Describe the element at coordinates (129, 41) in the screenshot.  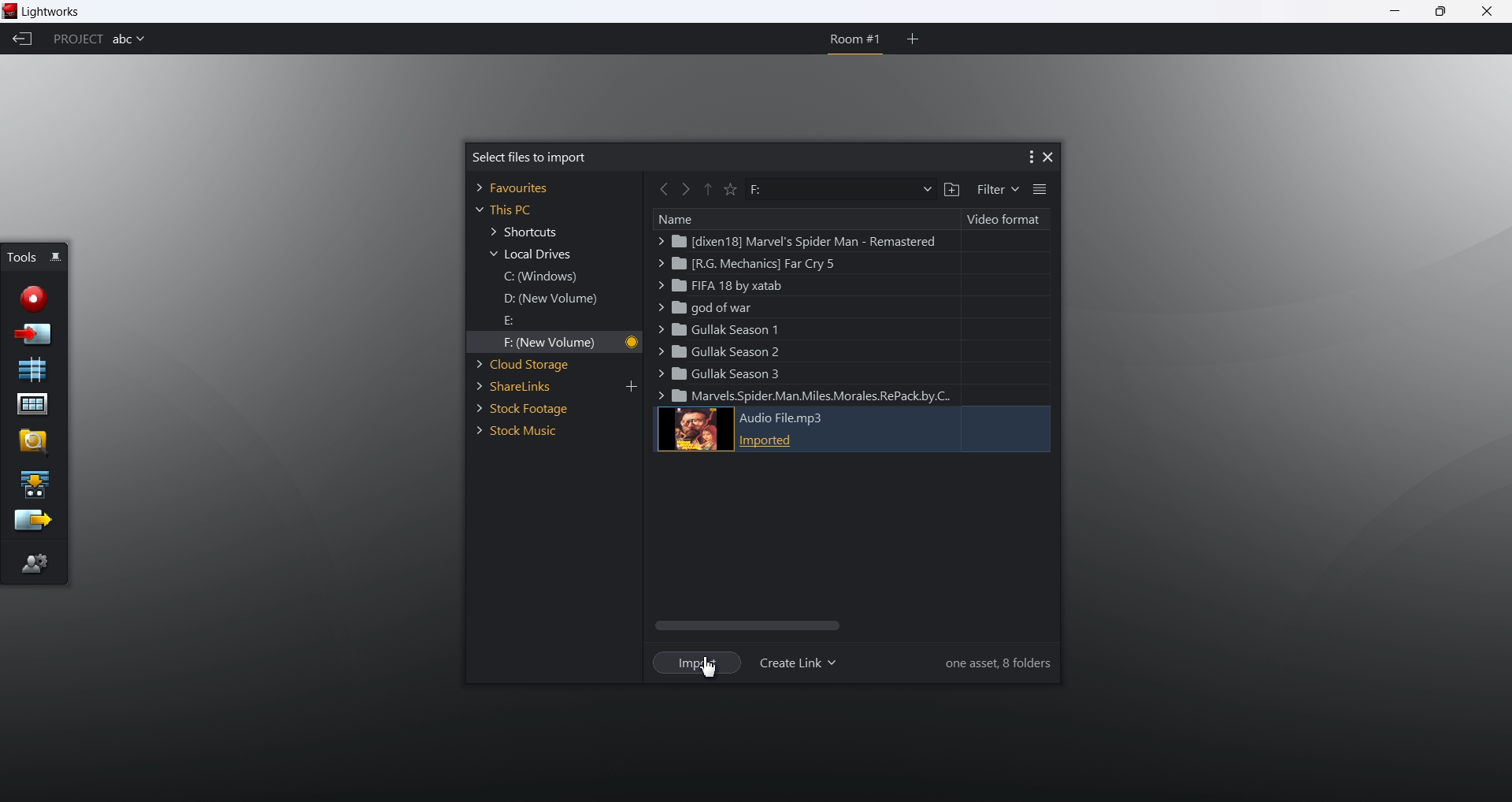
I see `project name` at that location.